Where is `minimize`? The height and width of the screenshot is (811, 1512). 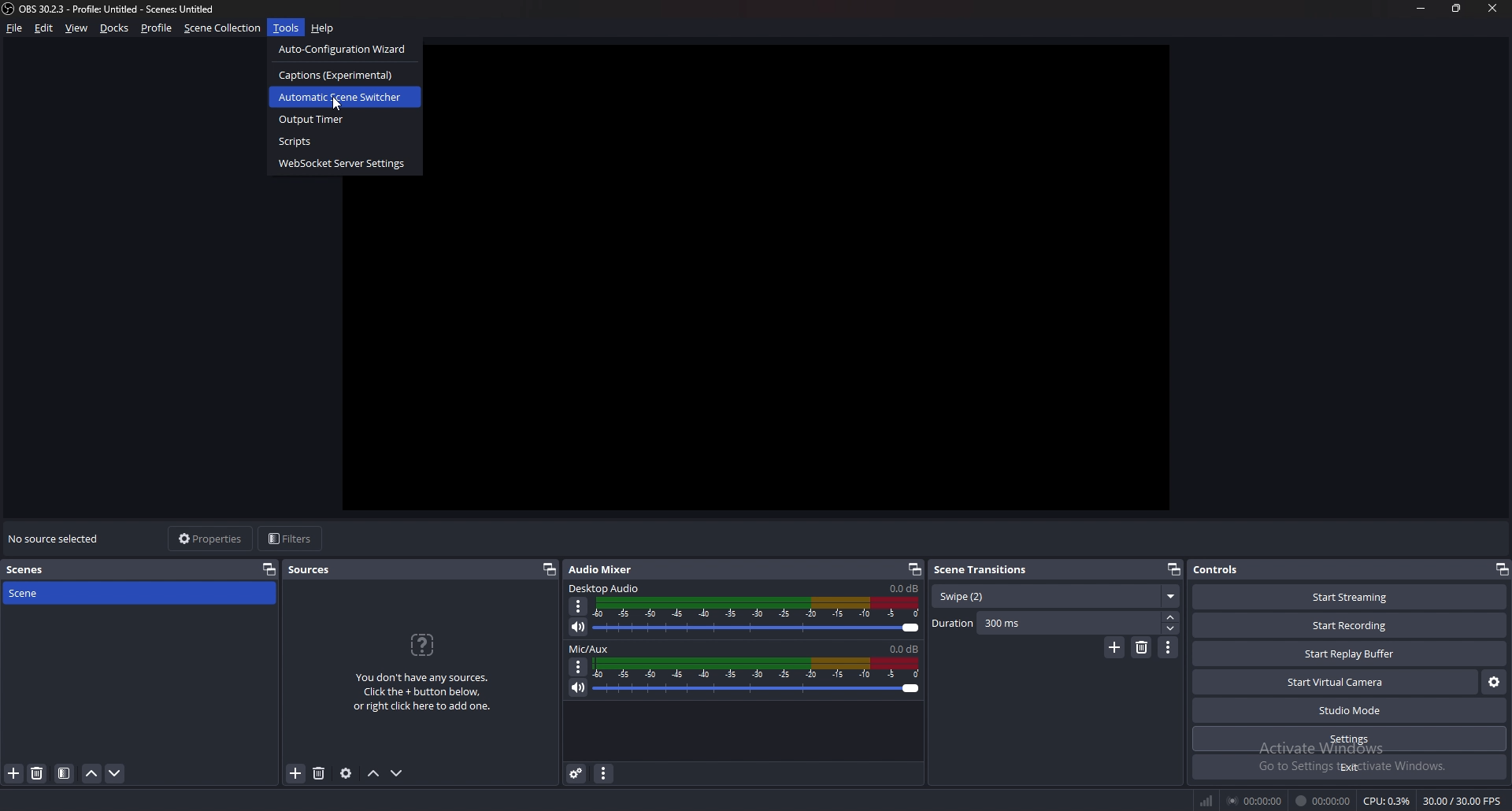
minimize is located at coordinates (1421, 8).